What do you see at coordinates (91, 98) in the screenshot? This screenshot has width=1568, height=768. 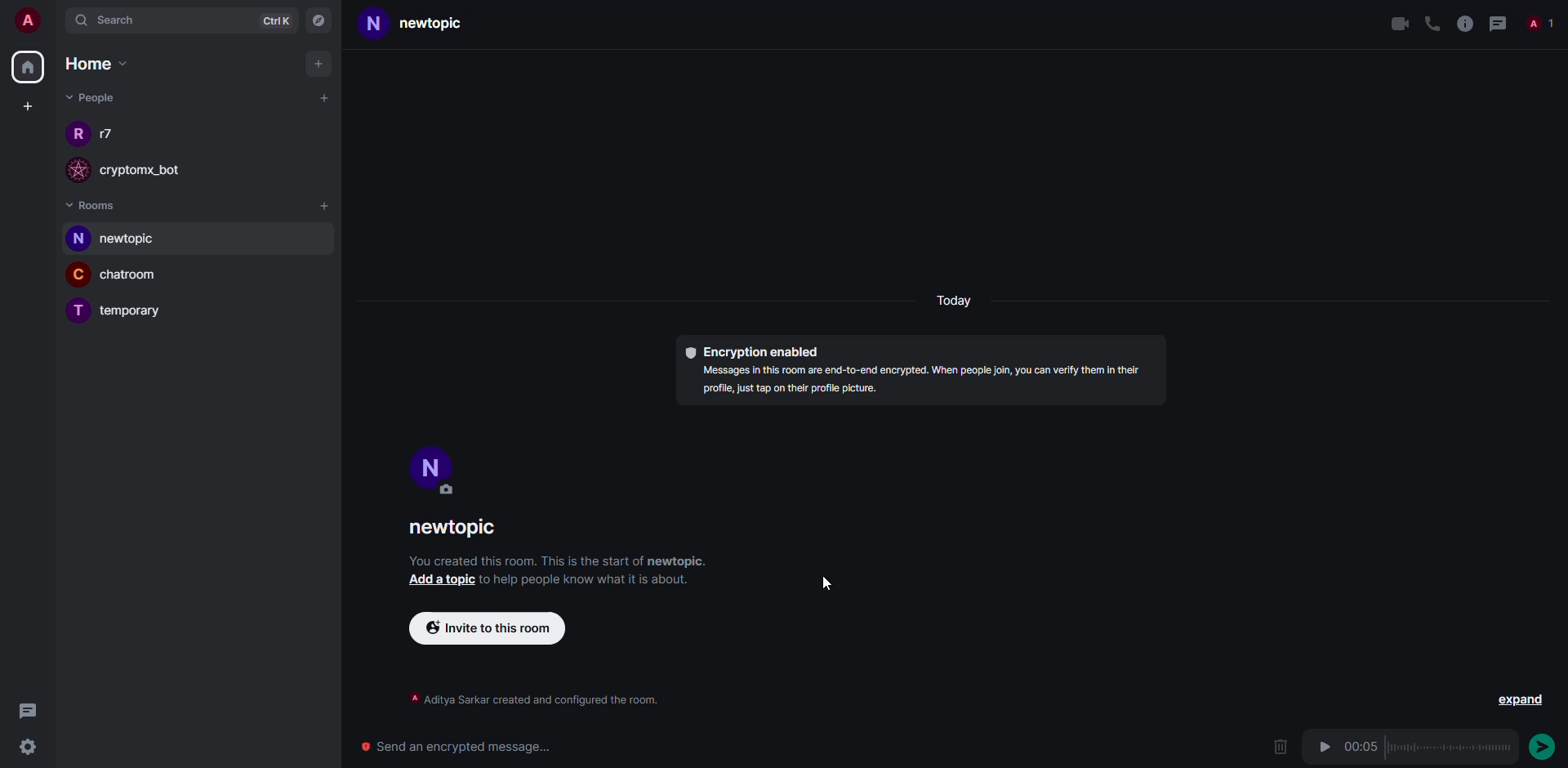 I see `people` at bounding box center [91, 98].